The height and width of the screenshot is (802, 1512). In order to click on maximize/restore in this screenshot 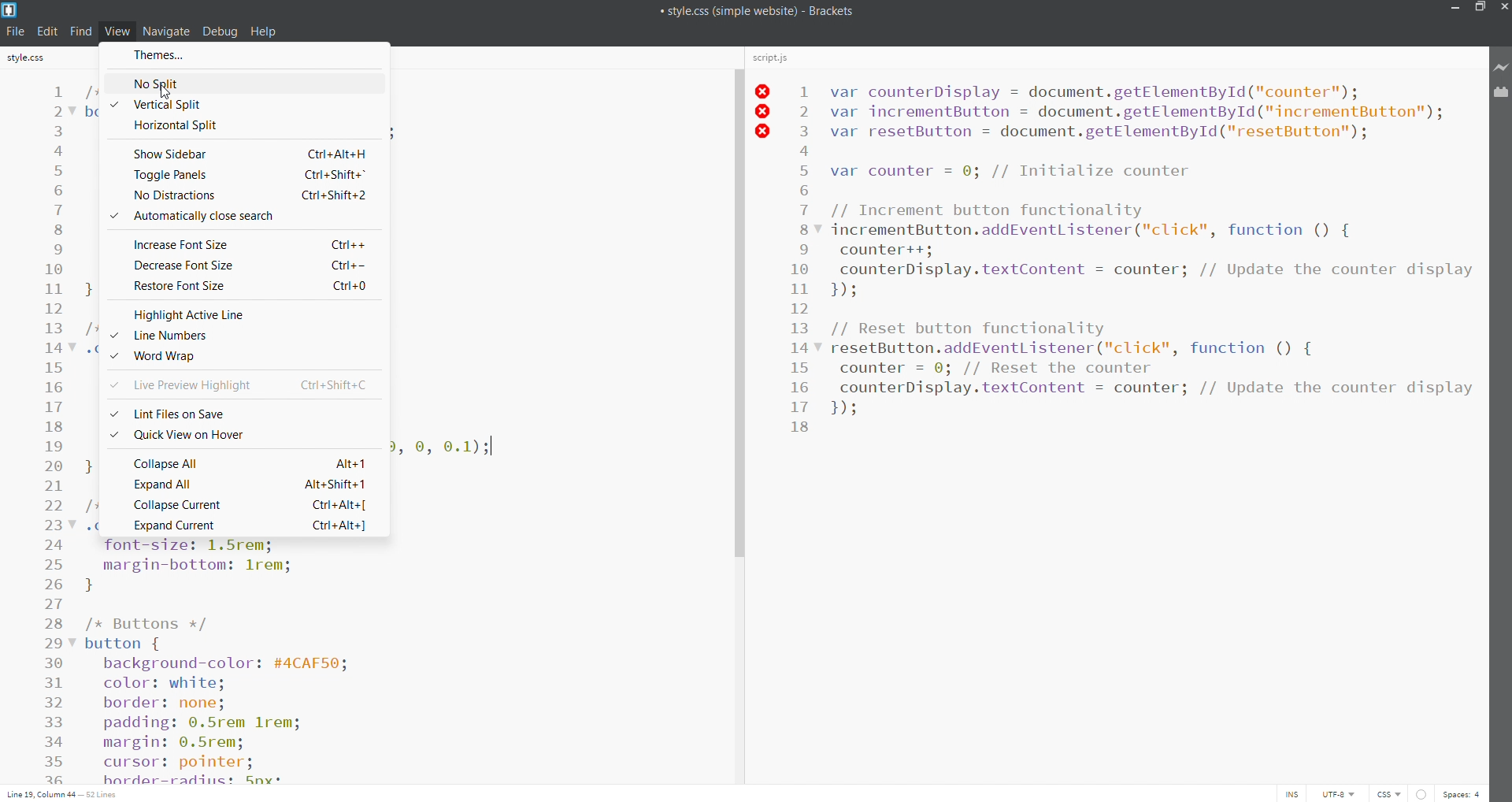, I will do `click(1478, 9)`.